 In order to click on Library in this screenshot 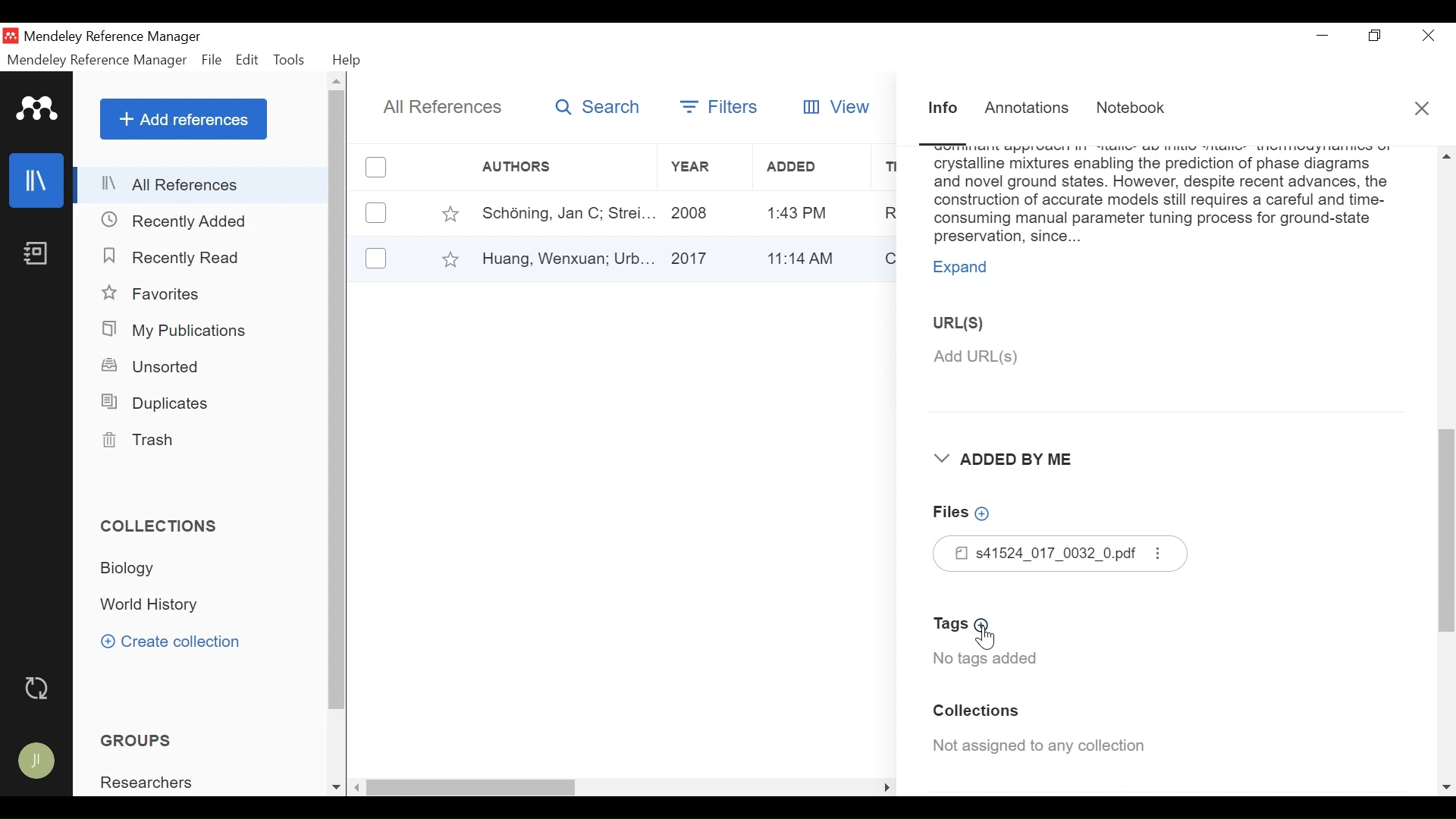, I will do `click(37, 180)`.